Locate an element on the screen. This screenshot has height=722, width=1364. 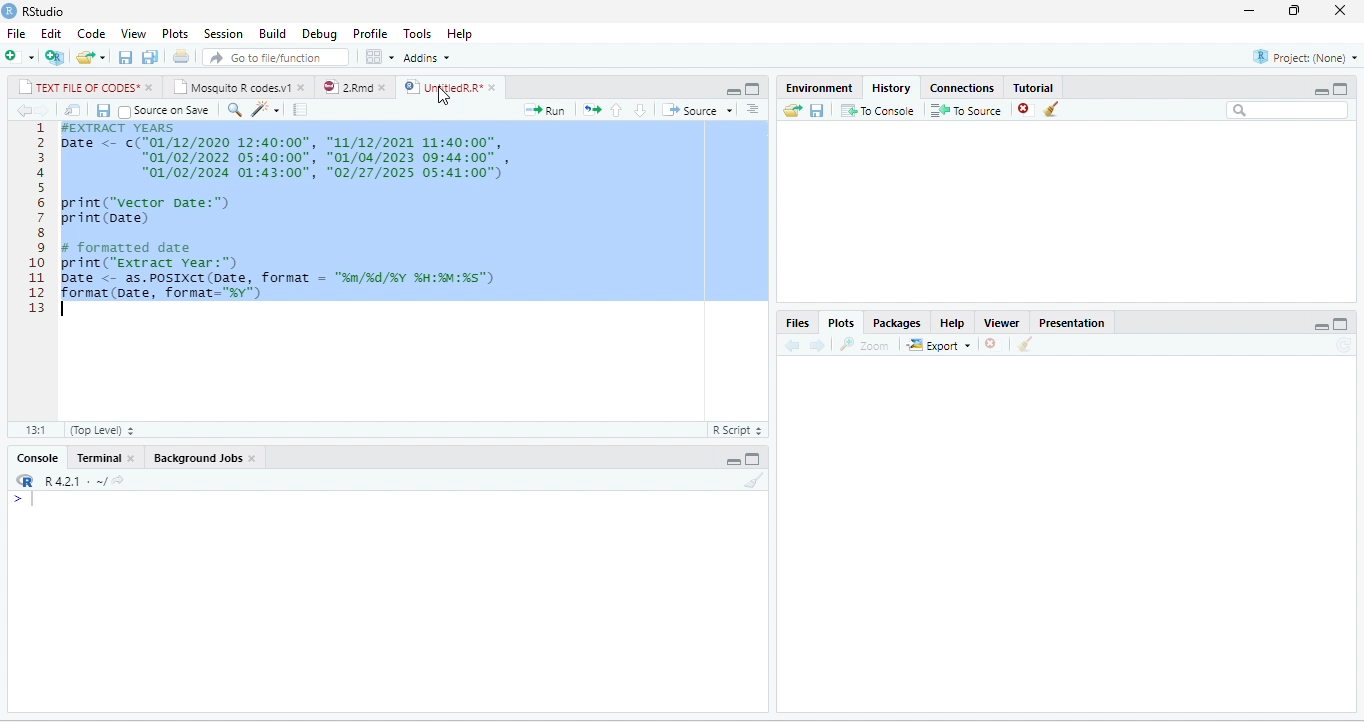
down is located at coordinates (640, 110).